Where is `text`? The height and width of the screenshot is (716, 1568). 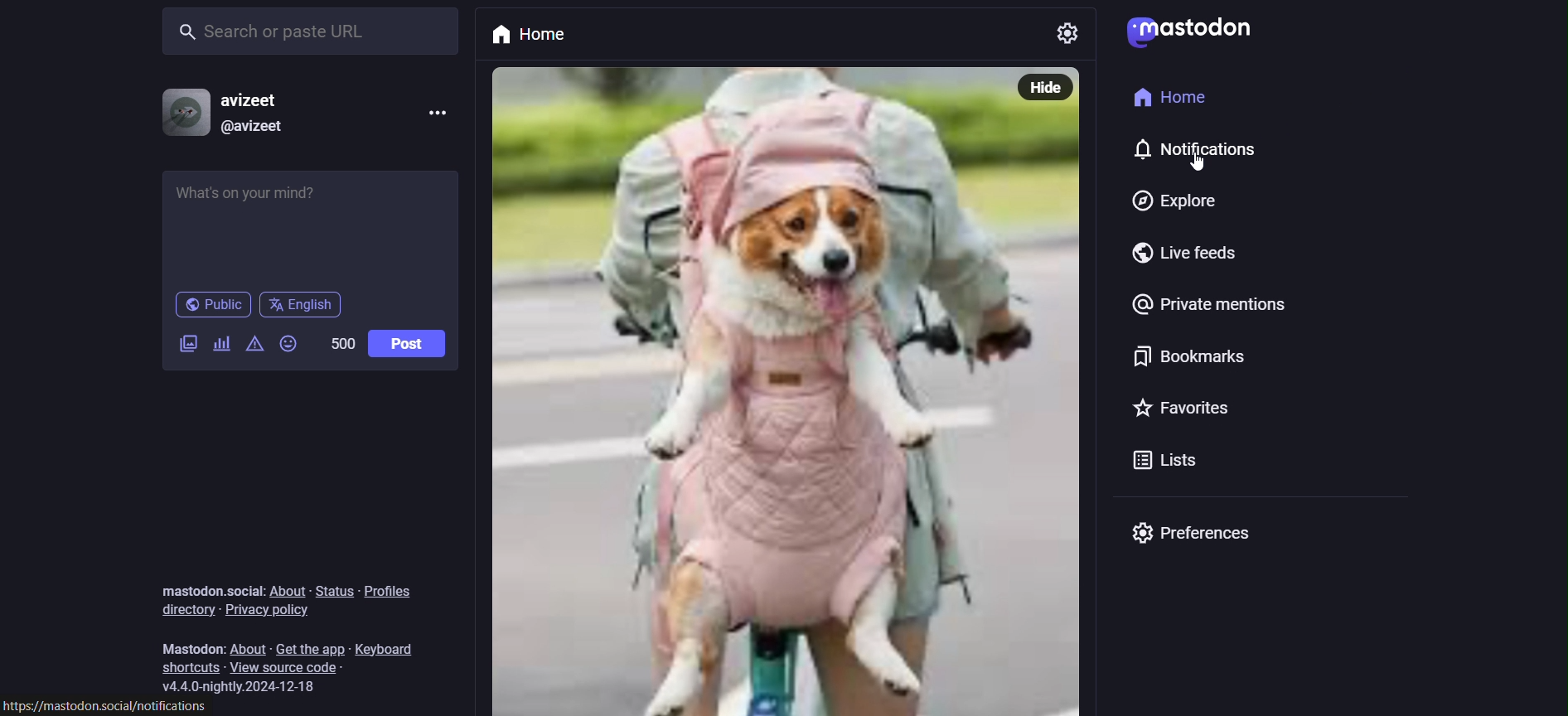
text is located at coordinates (209, 590).